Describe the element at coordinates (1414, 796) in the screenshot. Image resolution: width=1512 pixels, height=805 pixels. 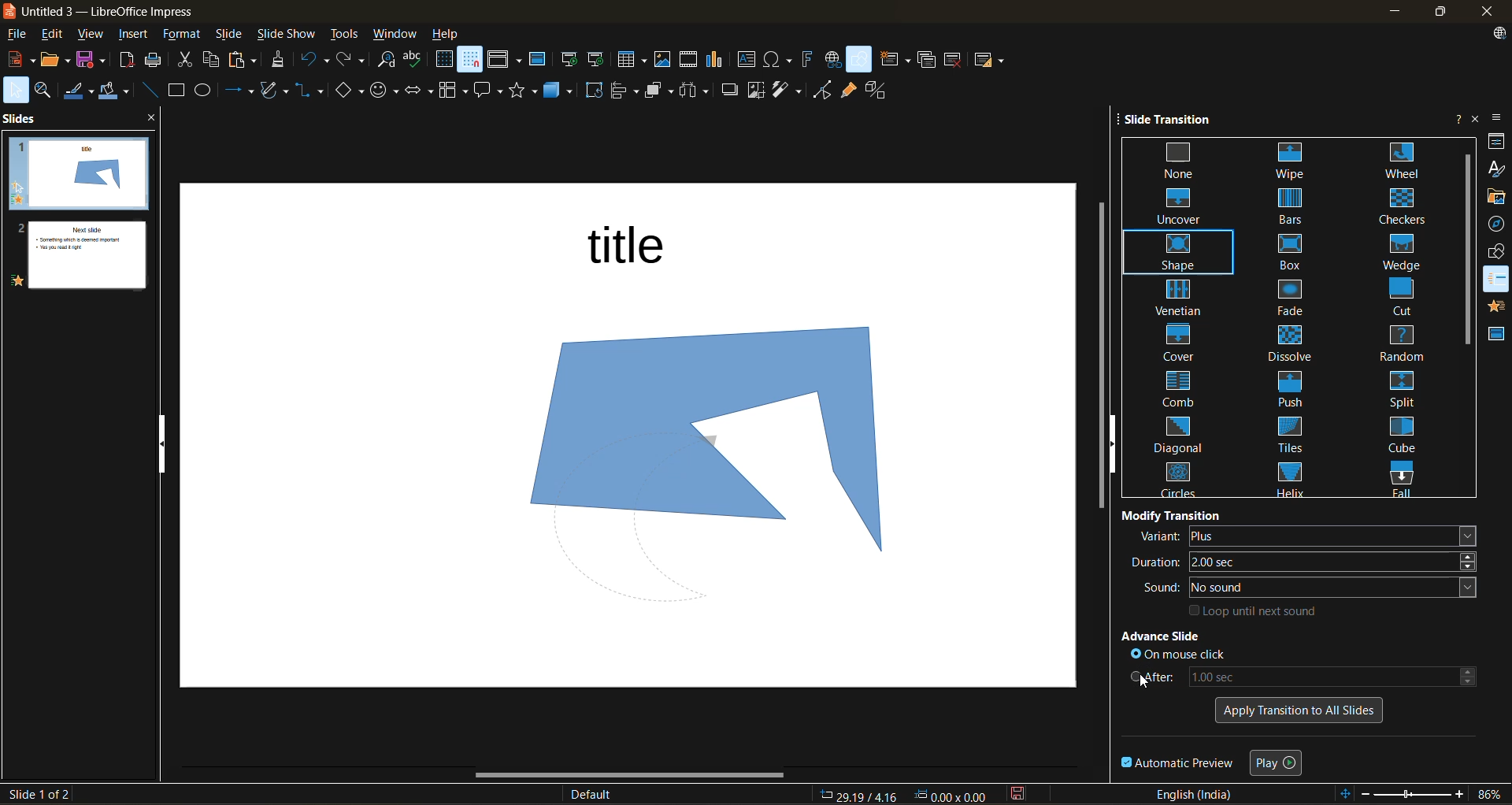
I see `zoom slider` at that location.